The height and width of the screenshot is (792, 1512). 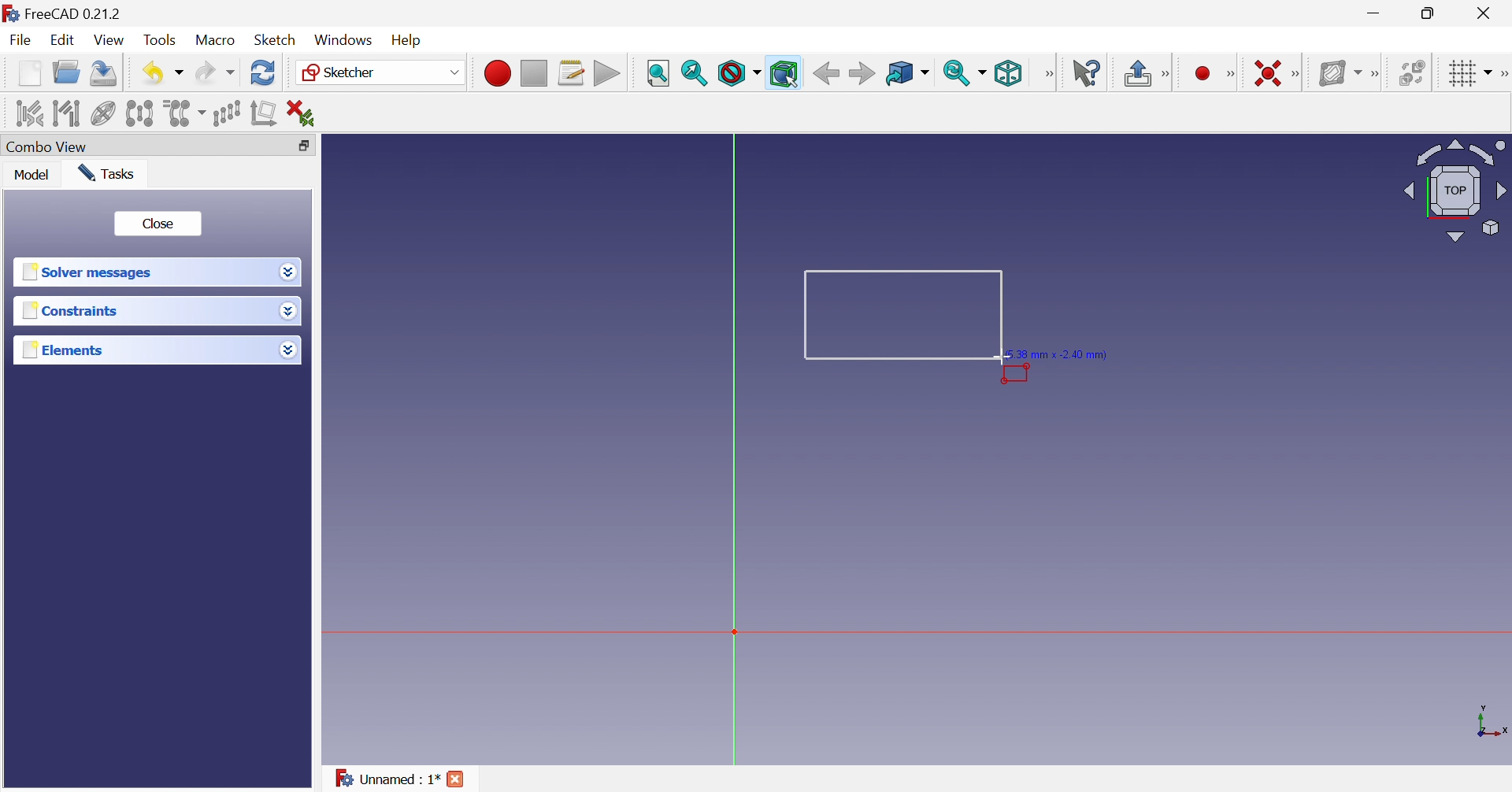 What do you see at coordinates (29, 72) in the screenshot?
I see `New` at bounding box center [29, 72].